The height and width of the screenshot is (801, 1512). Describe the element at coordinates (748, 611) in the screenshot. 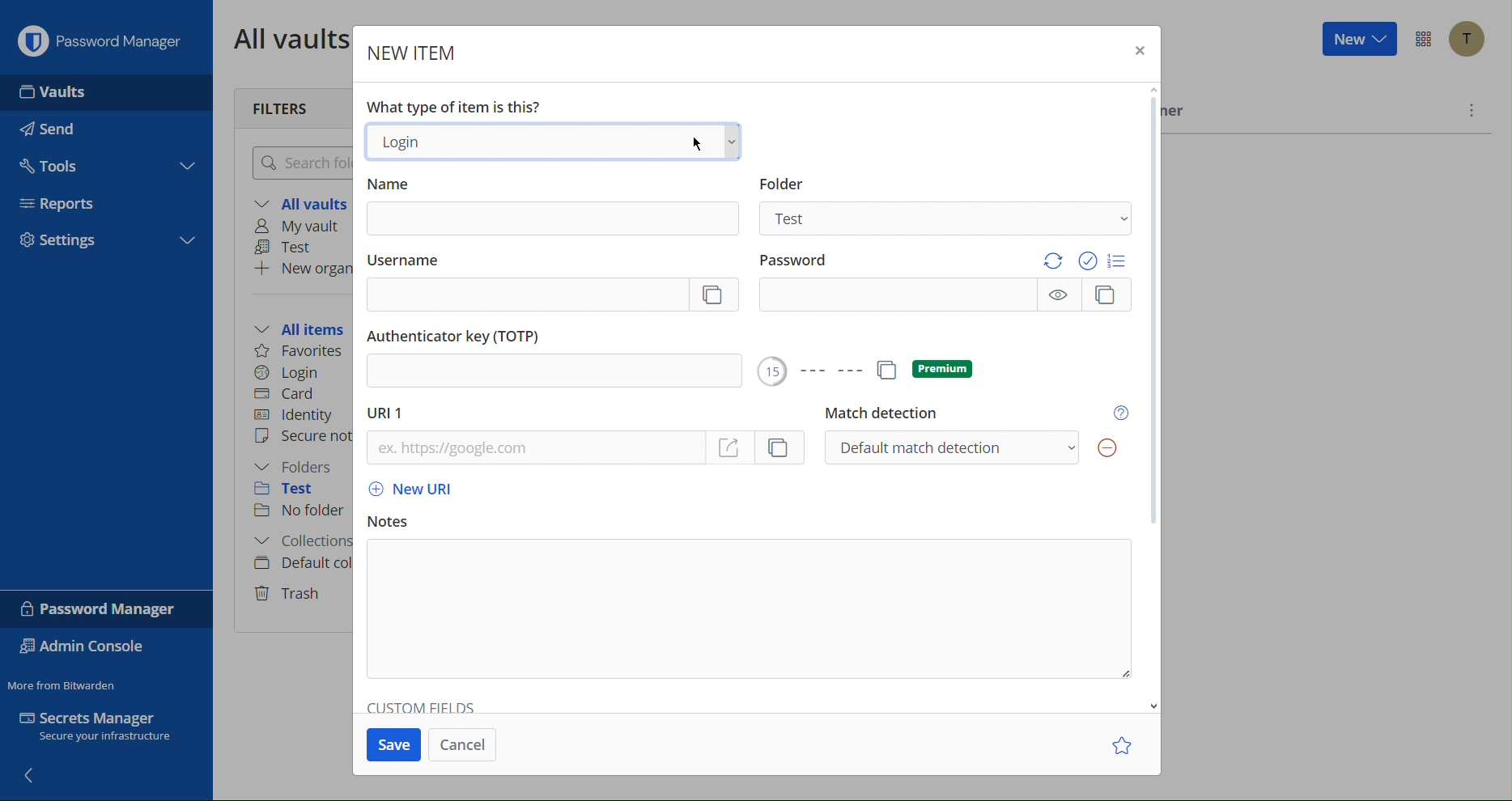

I see `Notes` at that location.